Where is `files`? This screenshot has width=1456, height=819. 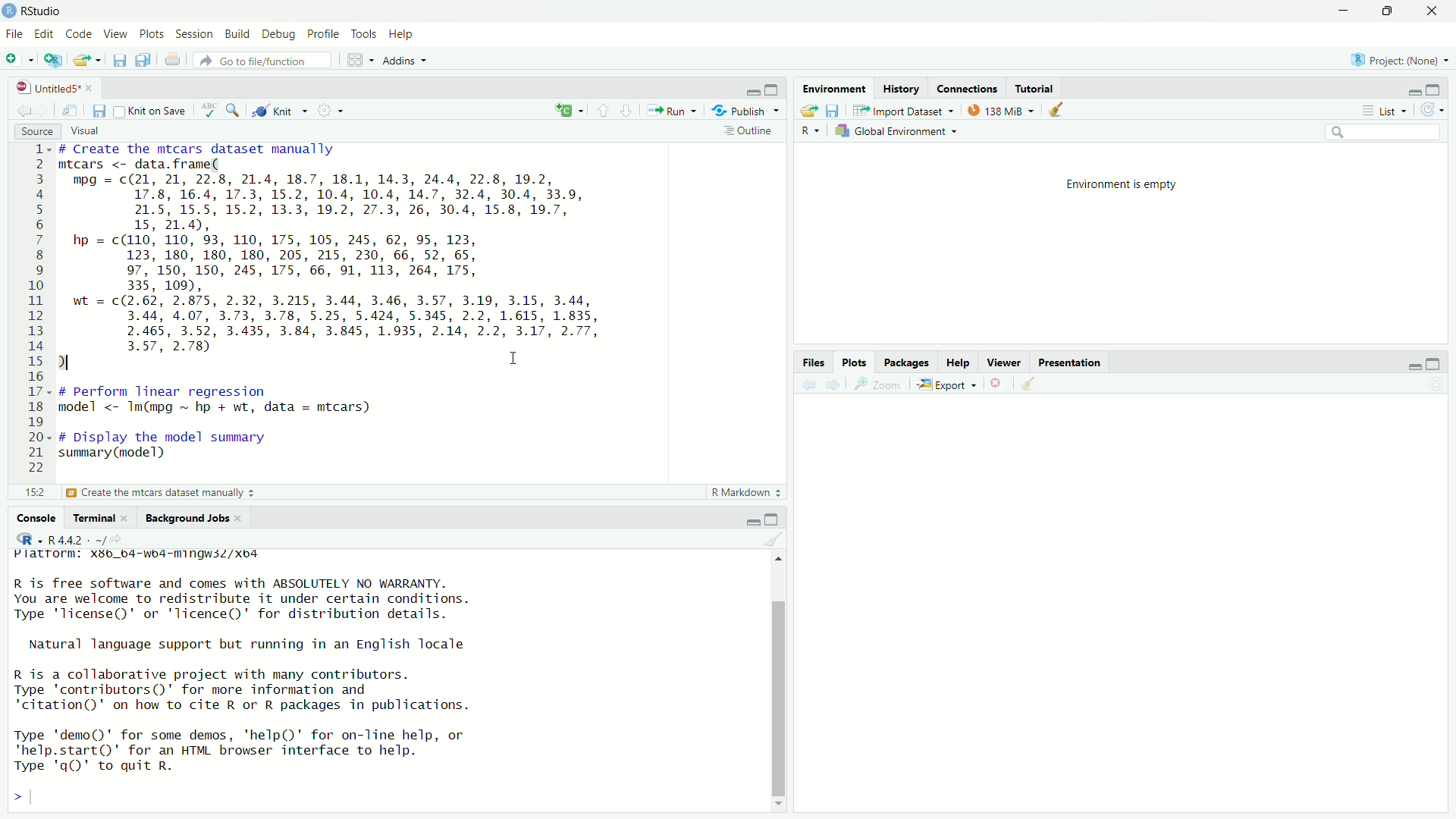
files is located at coordinates (814, 362).